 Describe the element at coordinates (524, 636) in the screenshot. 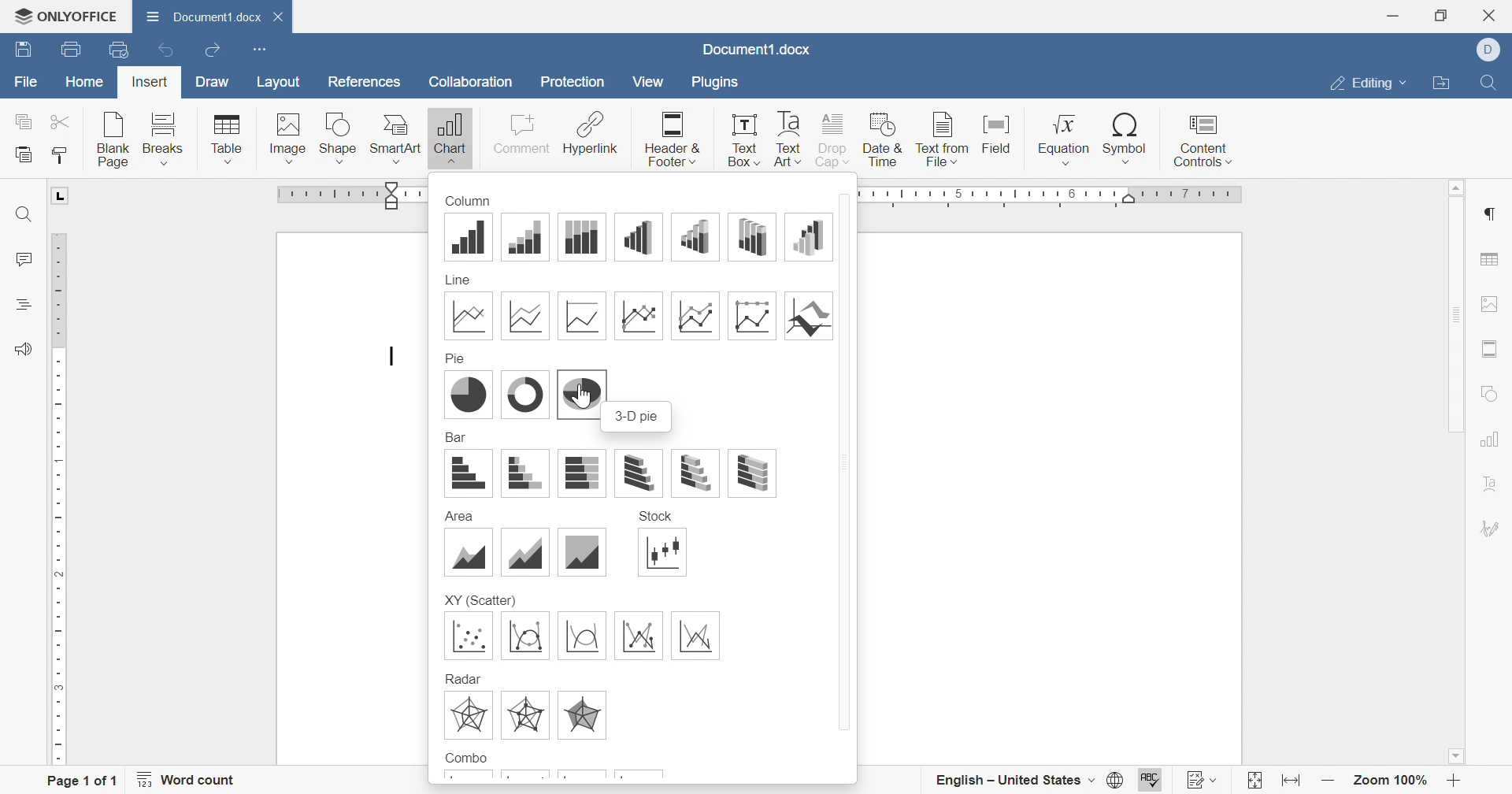

I see `Scatter with smooth lines and markers` at that location.